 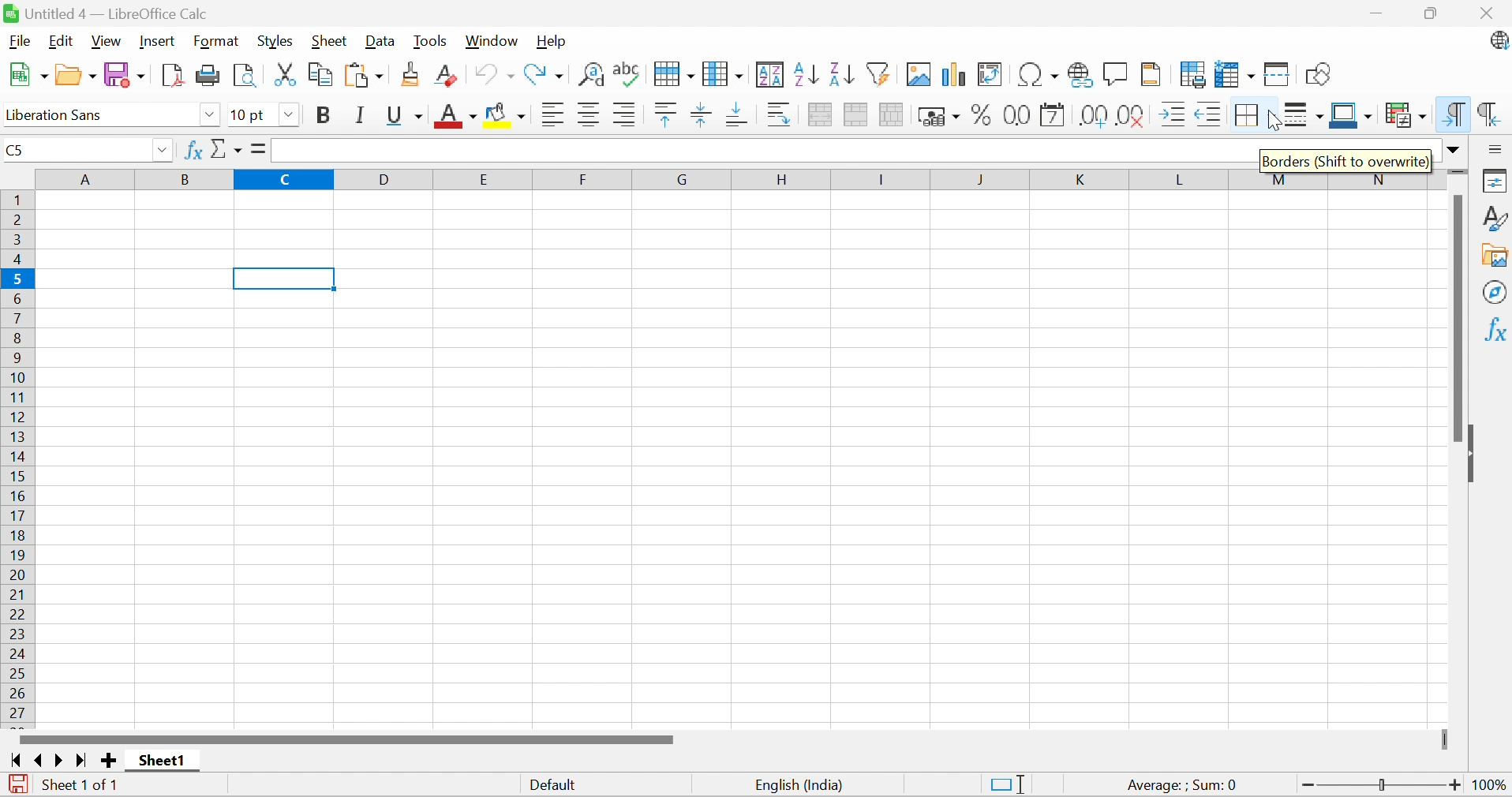 I want to click on Select function, so click(x=227, y=151).